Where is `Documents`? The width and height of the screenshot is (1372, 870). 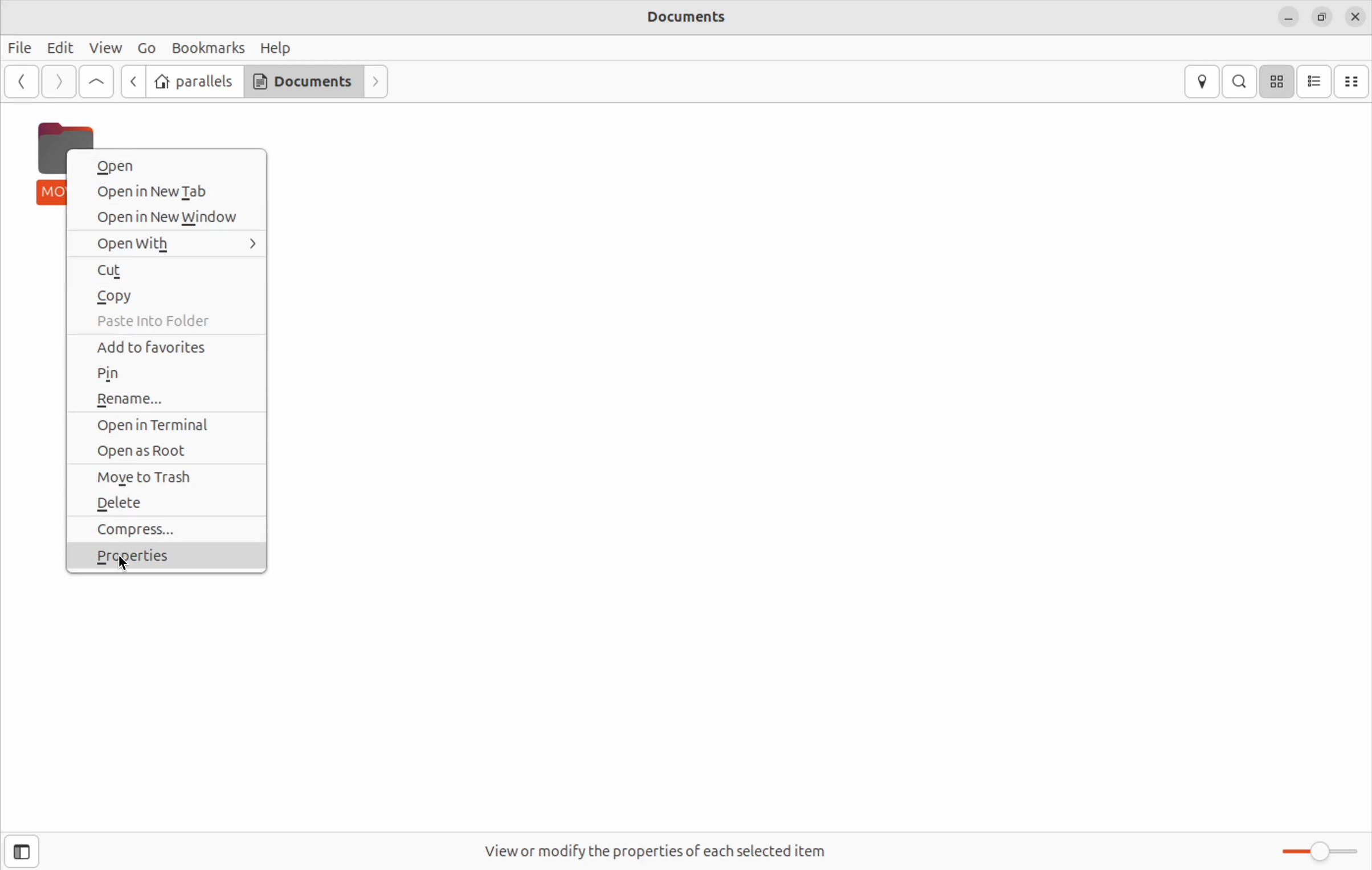 Documents is located at coordinates (303, 81).